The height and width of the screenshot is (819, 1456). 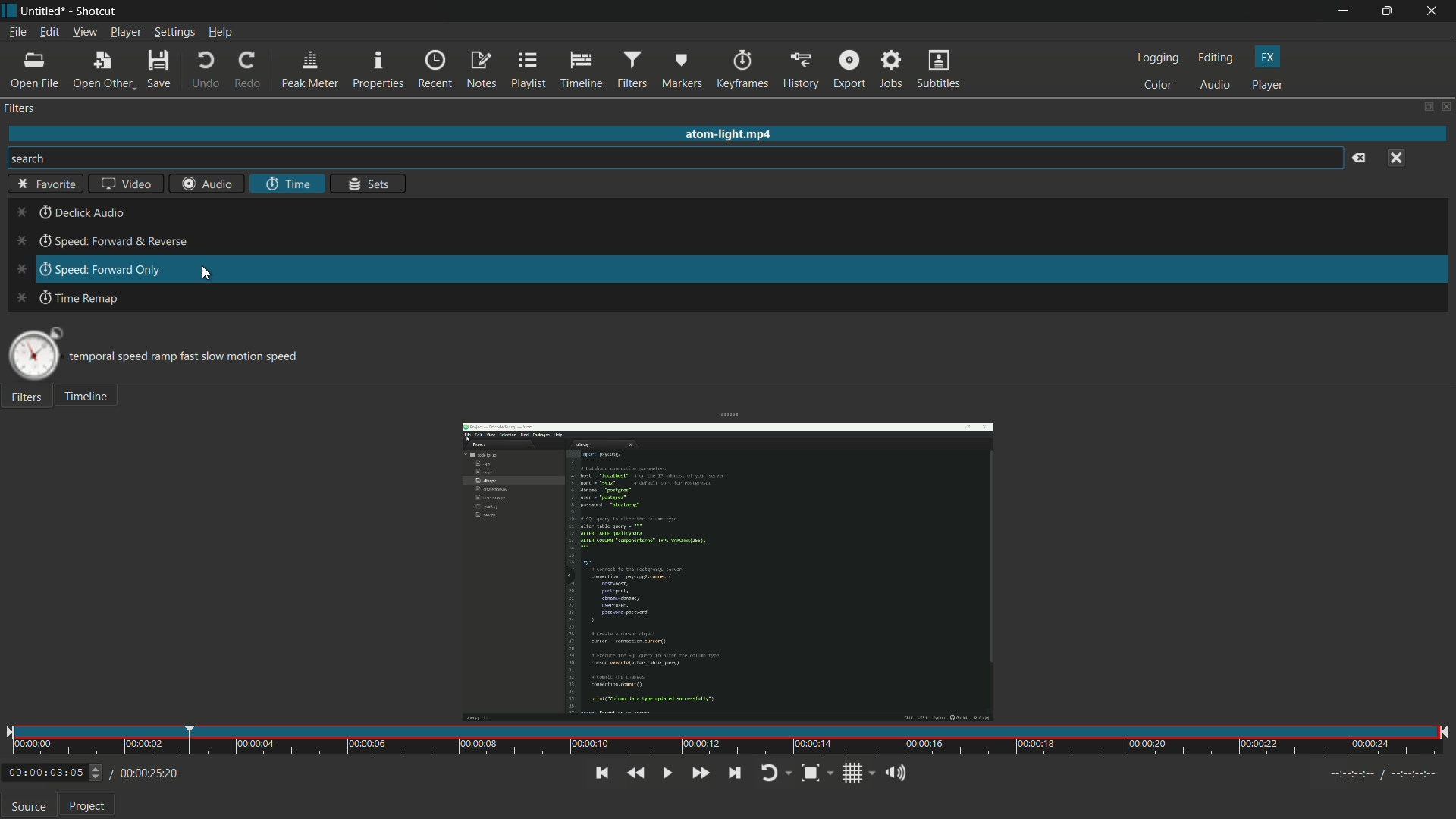 What do you see at coordinates (29, 806) in the screenshot?
I see `source` at bounding box center [29, 806].